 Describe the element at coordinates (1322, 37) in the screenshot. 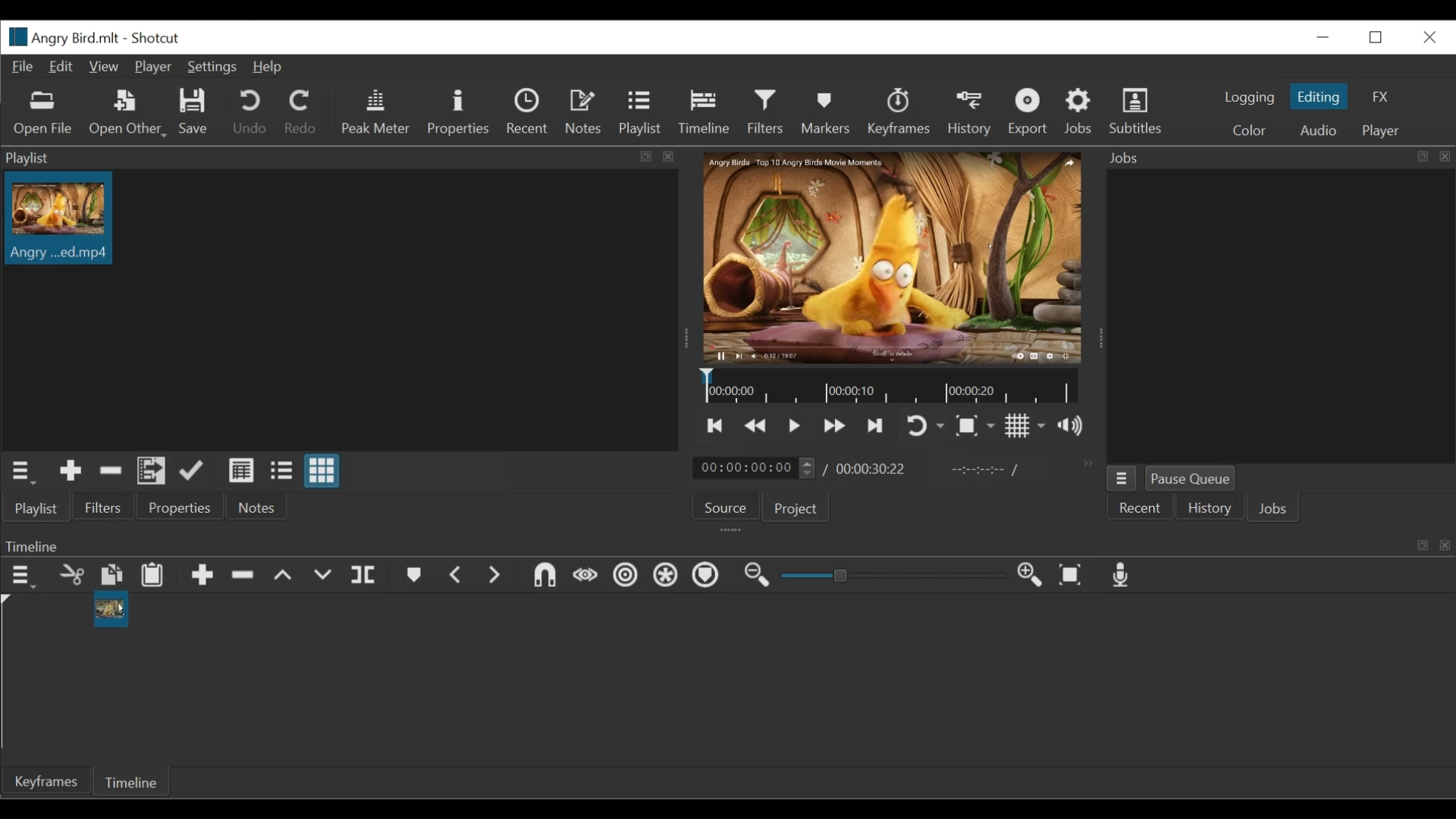

I see `minimize` at that location.